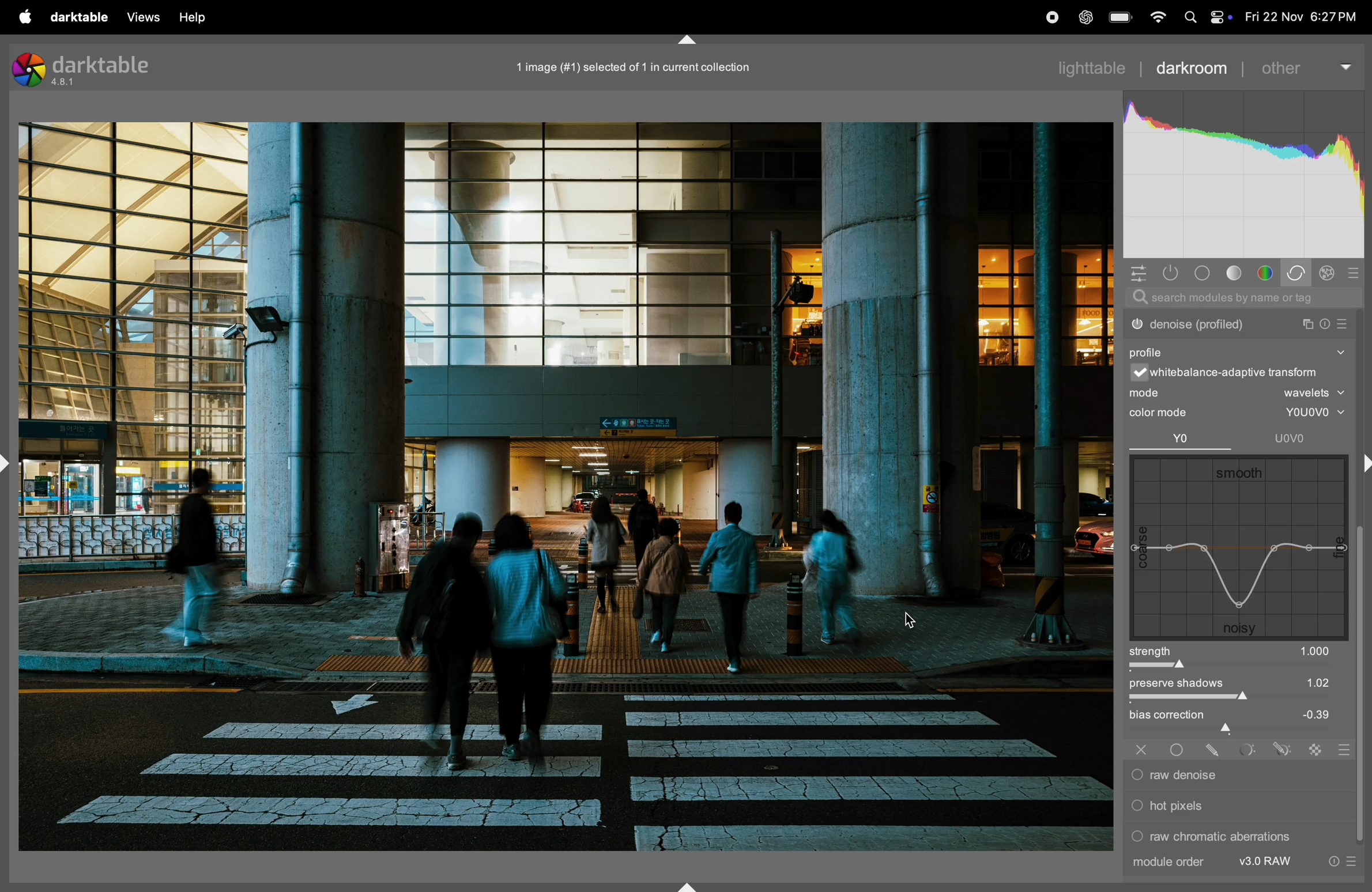 The image size is (1372, 892). What do you see at coordinates (1142, 750) in the screenshot?
I see `off` at bounding box center [1142, 750].